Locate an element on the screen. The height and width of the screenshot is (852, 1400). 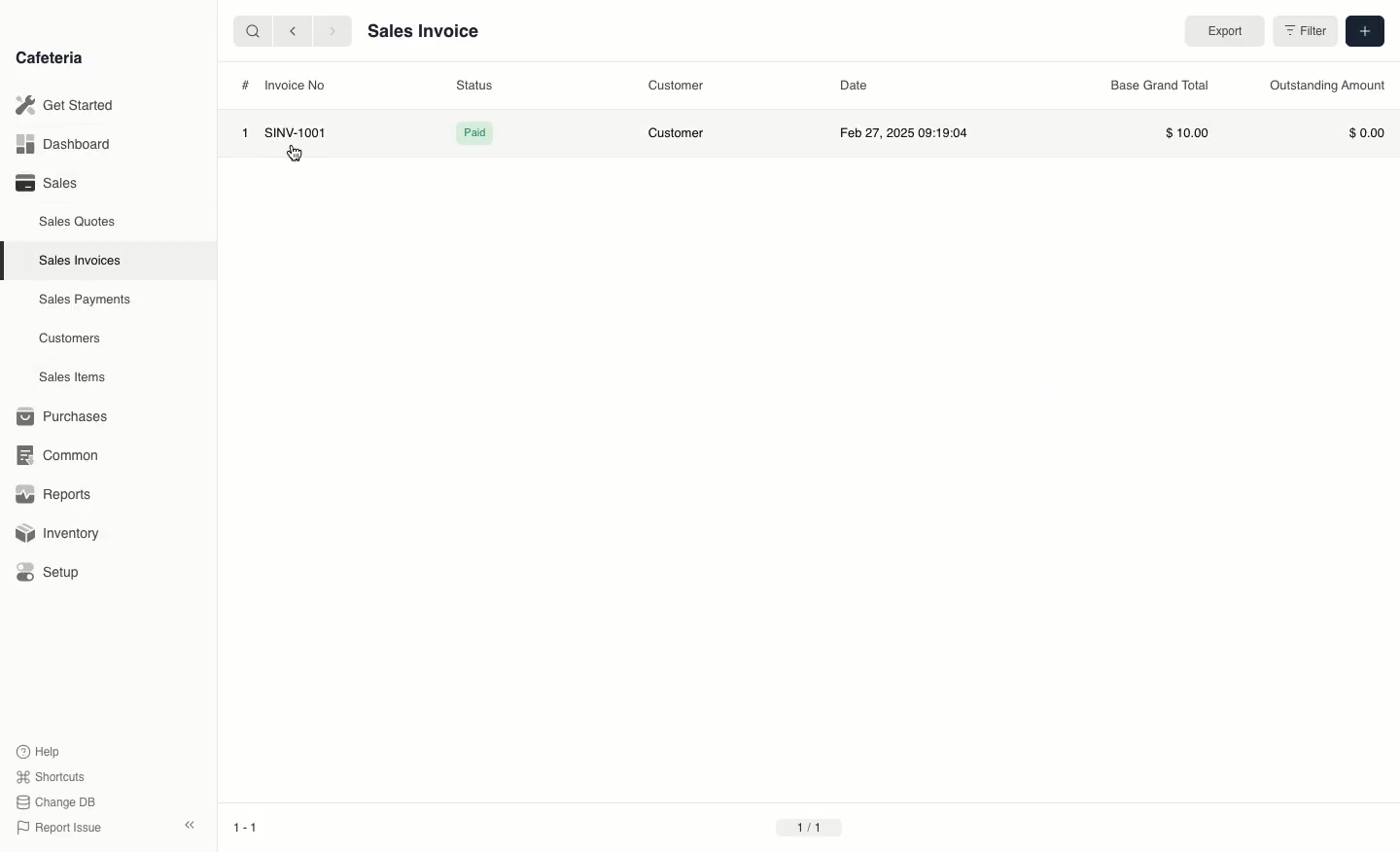
Inventory is located at coordinates (59, 536).